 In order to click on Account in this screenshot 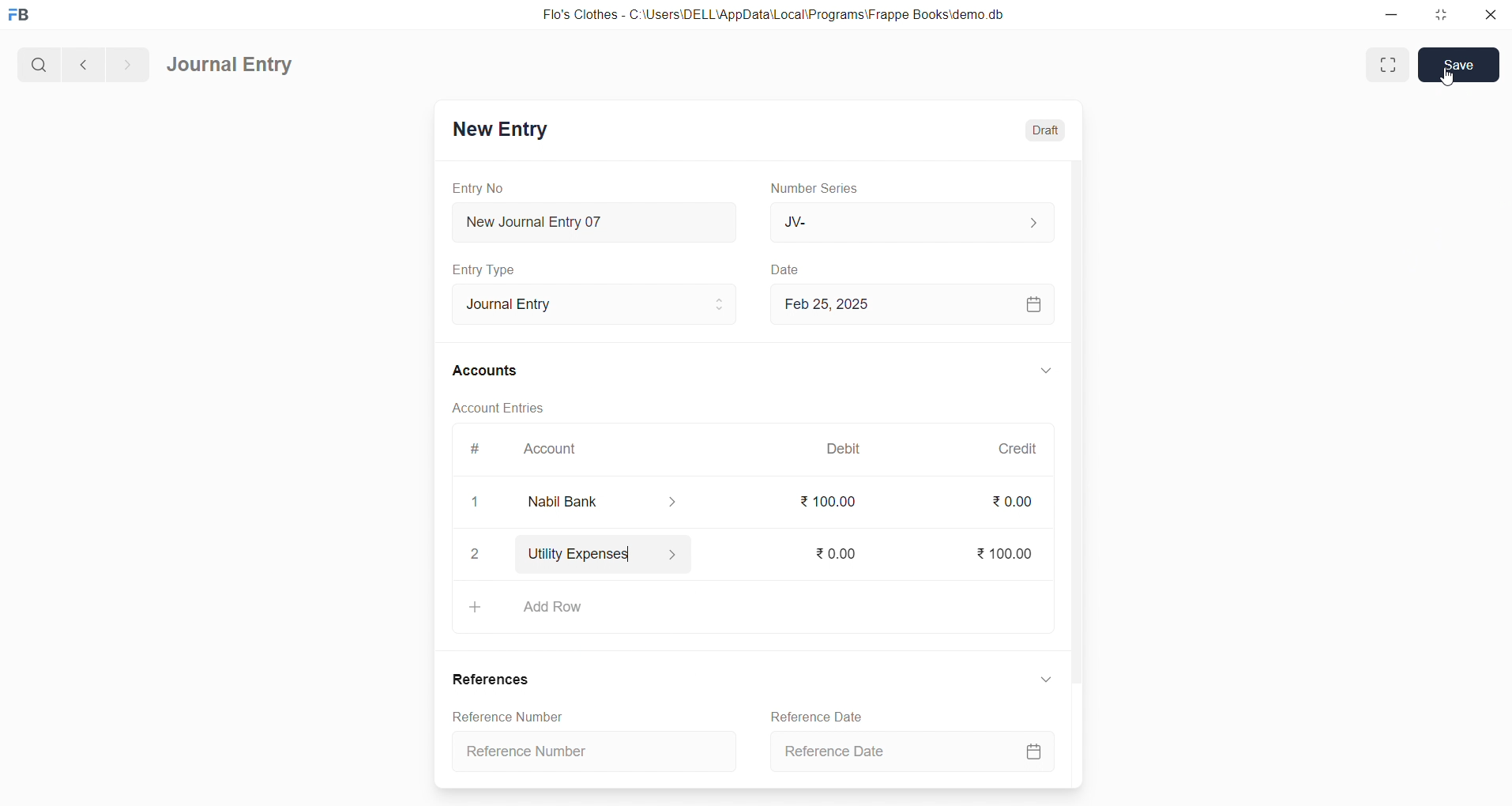, I will do `click(553, 450)`.